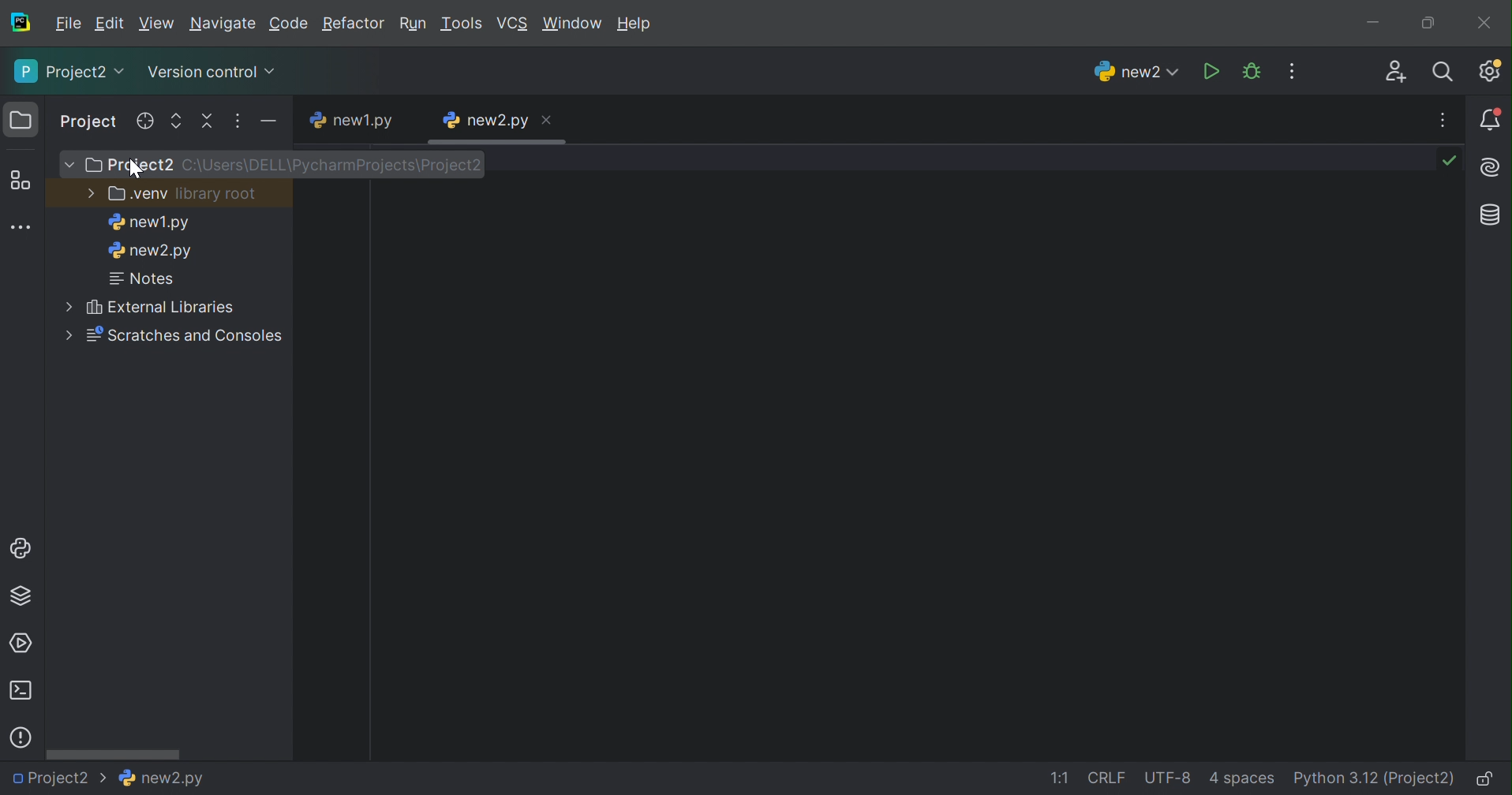  Describe the element at coordinates (71, 166) in the screenshot. I see `More` at that location.